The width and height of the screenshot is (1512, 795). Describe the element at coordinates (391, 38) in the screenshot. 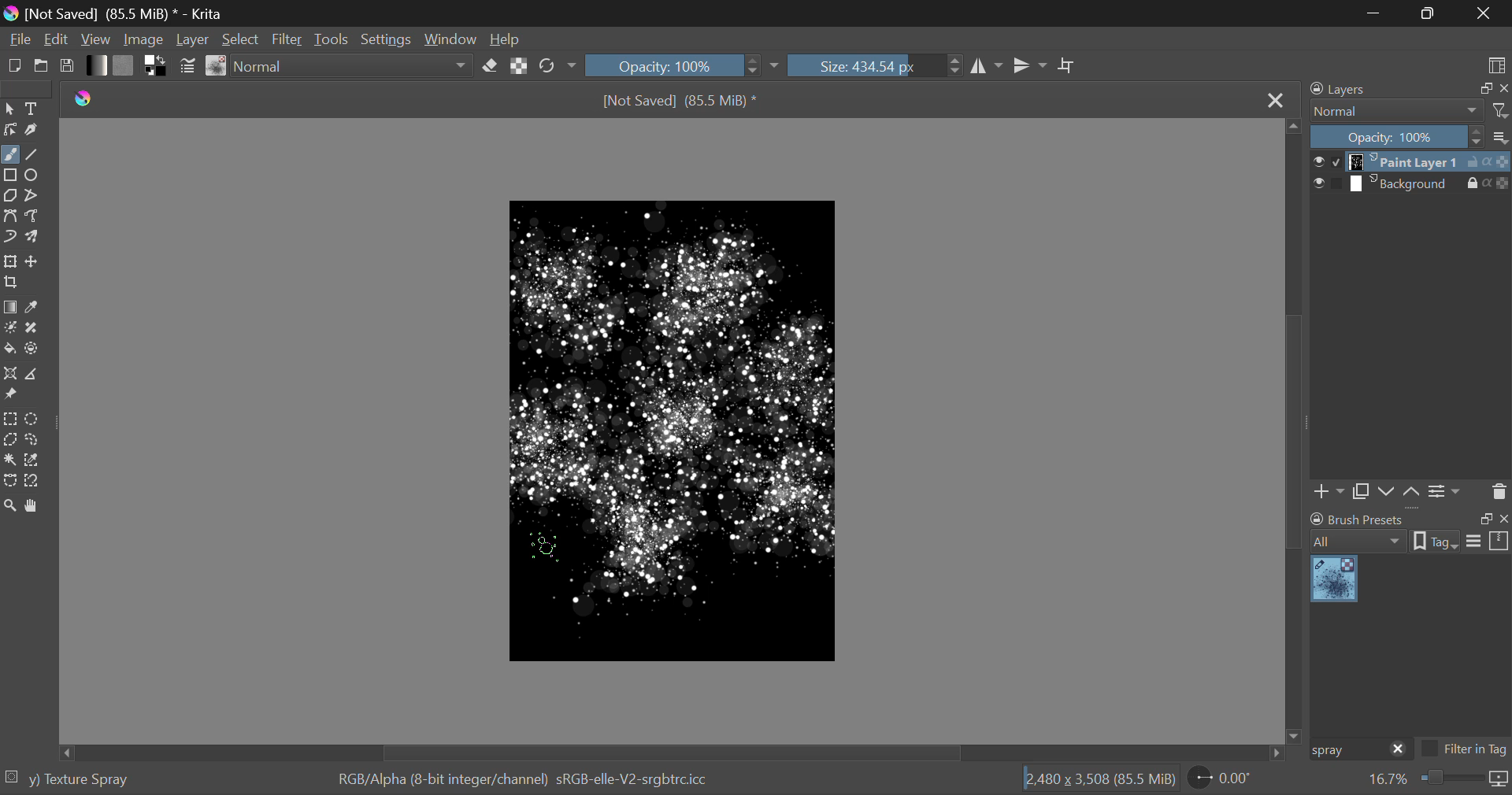

I see `Settings` at that location.